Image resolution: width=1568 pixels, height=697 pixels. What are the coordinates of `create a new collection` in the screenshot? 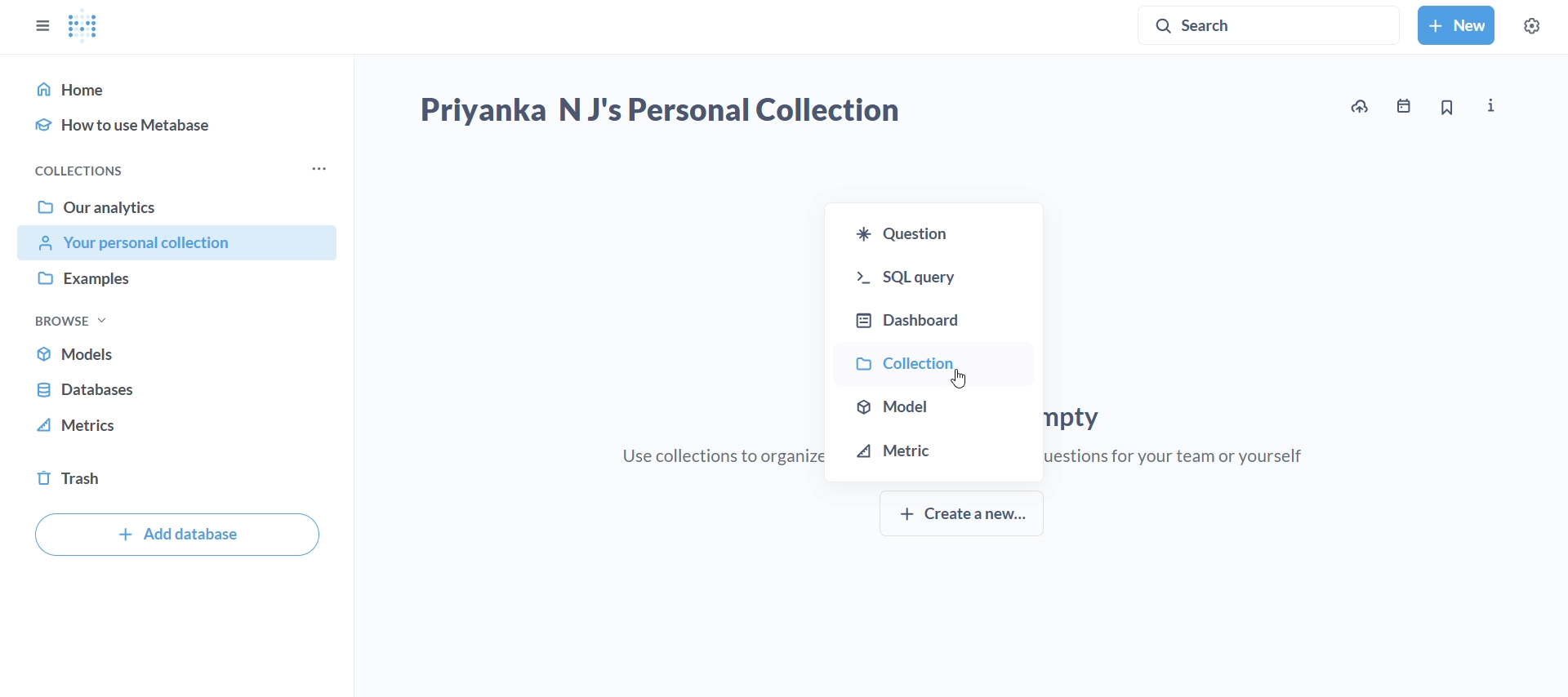 It's located at (963, 517).